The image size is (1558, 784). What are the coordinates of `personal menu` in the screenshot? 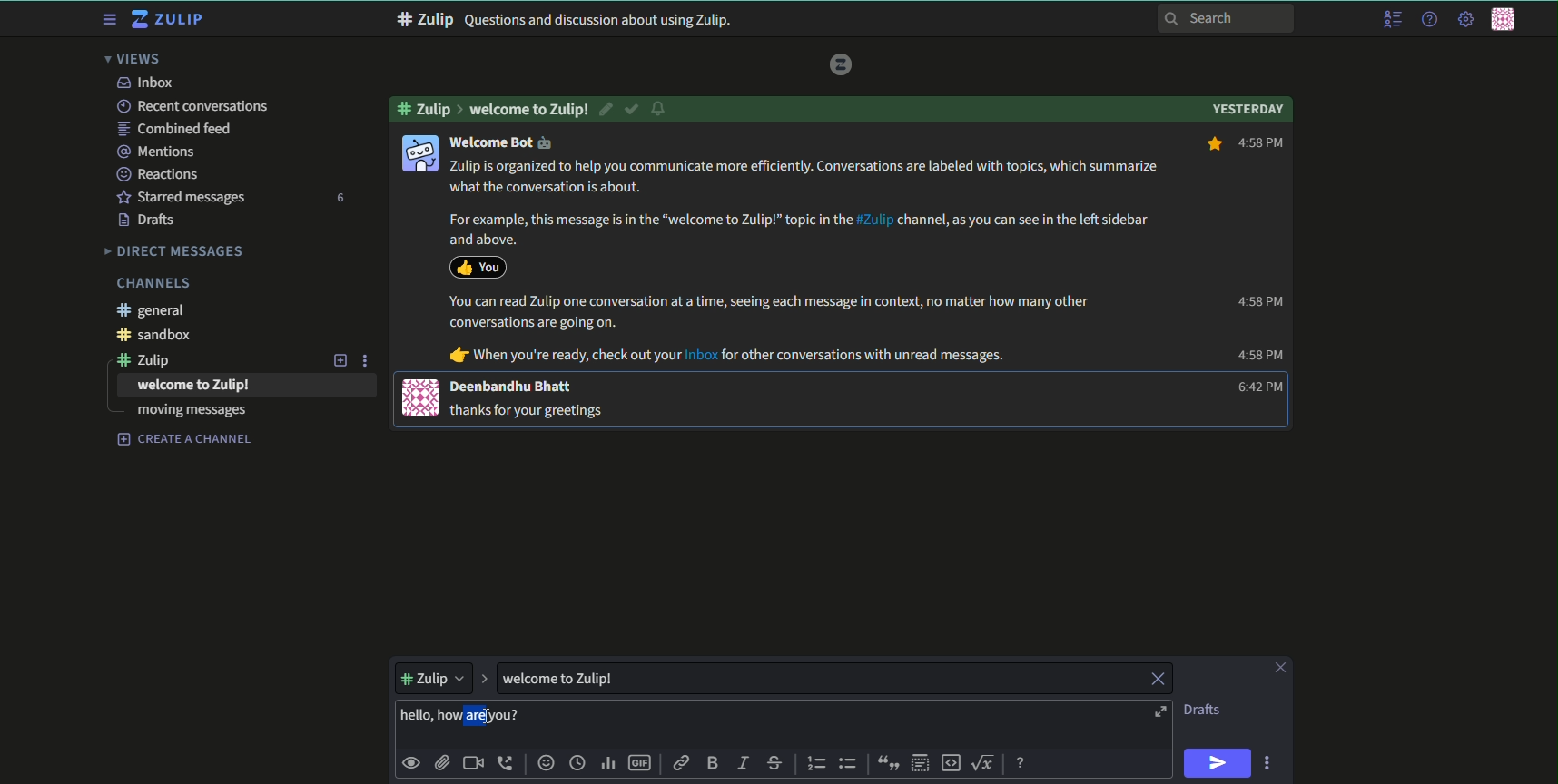 It's located at (1506, 21).